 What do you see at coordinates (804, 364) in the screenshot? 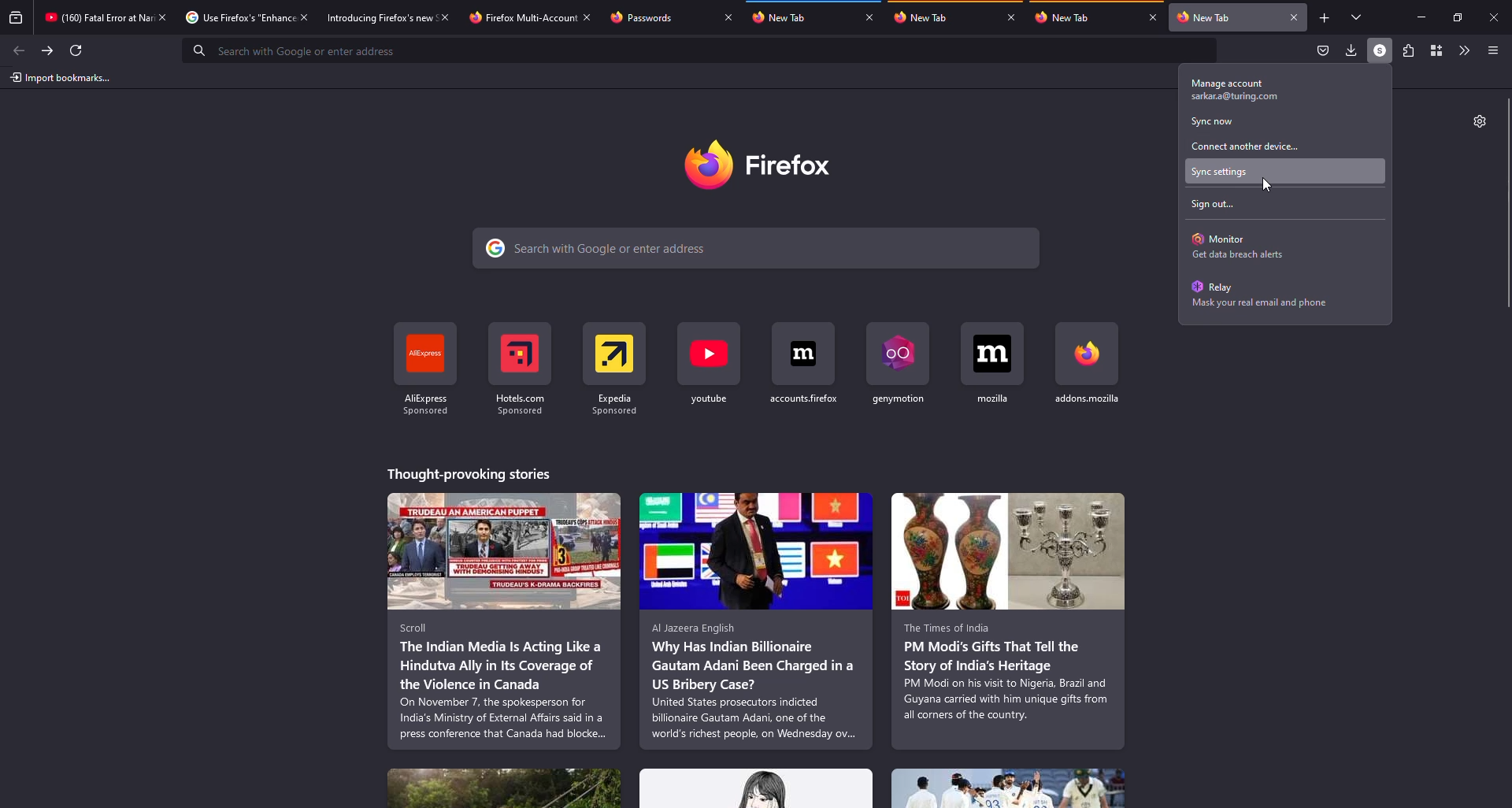
I see `shortcut` at bounding box center [804, 364].